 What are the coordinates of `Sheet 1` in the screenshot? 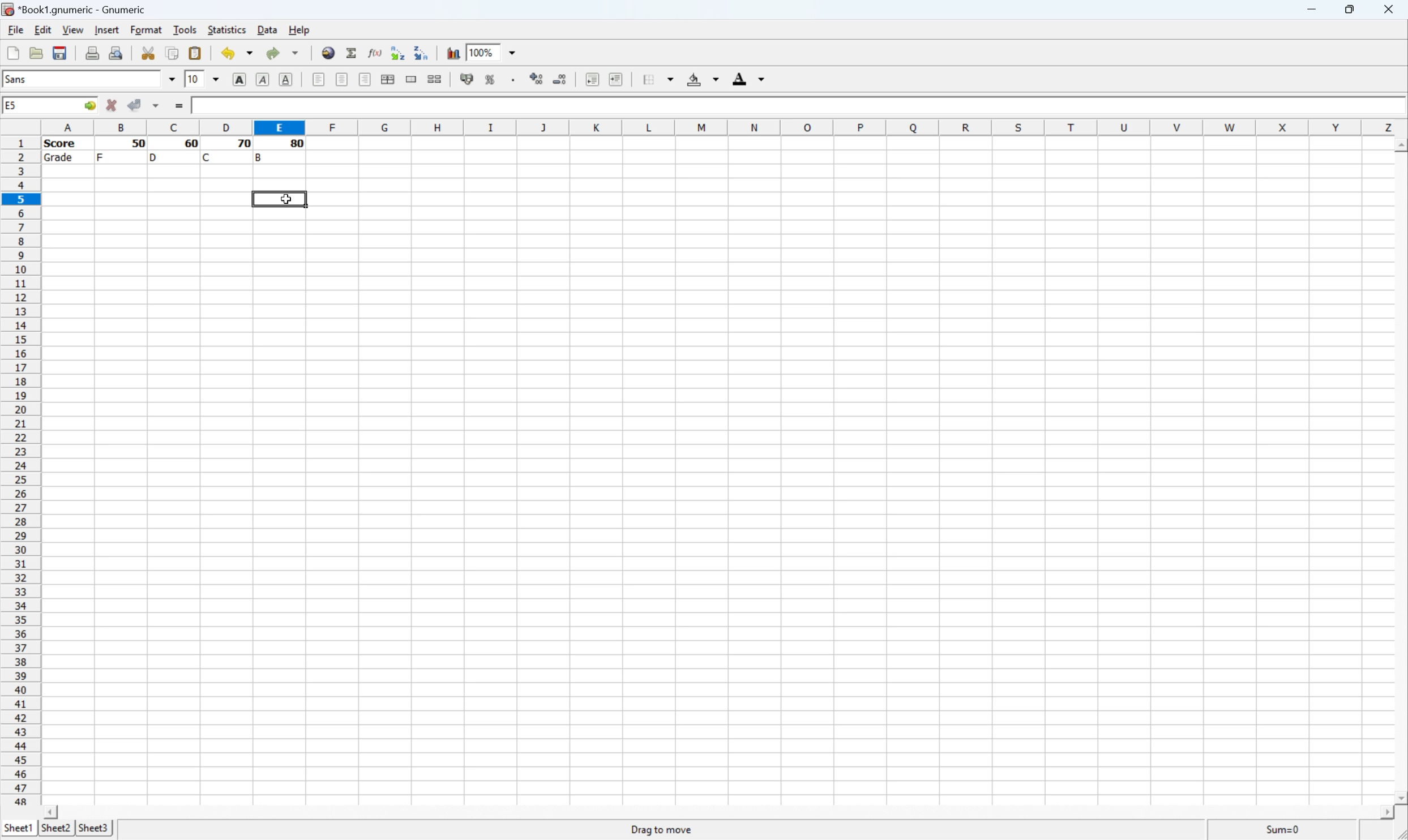 It's located at (18, 828).